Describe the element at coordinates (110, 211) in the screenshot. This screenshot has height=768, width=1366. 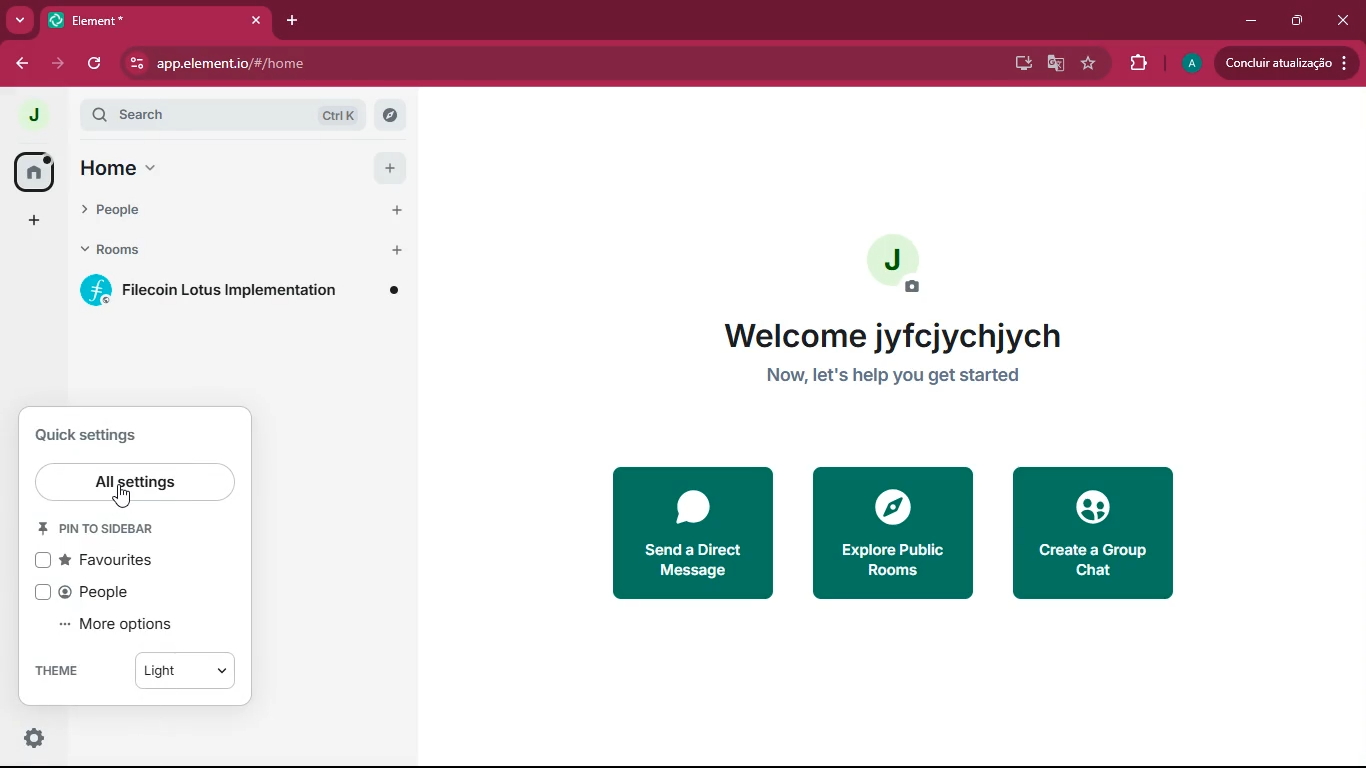
I see `people` at that location.